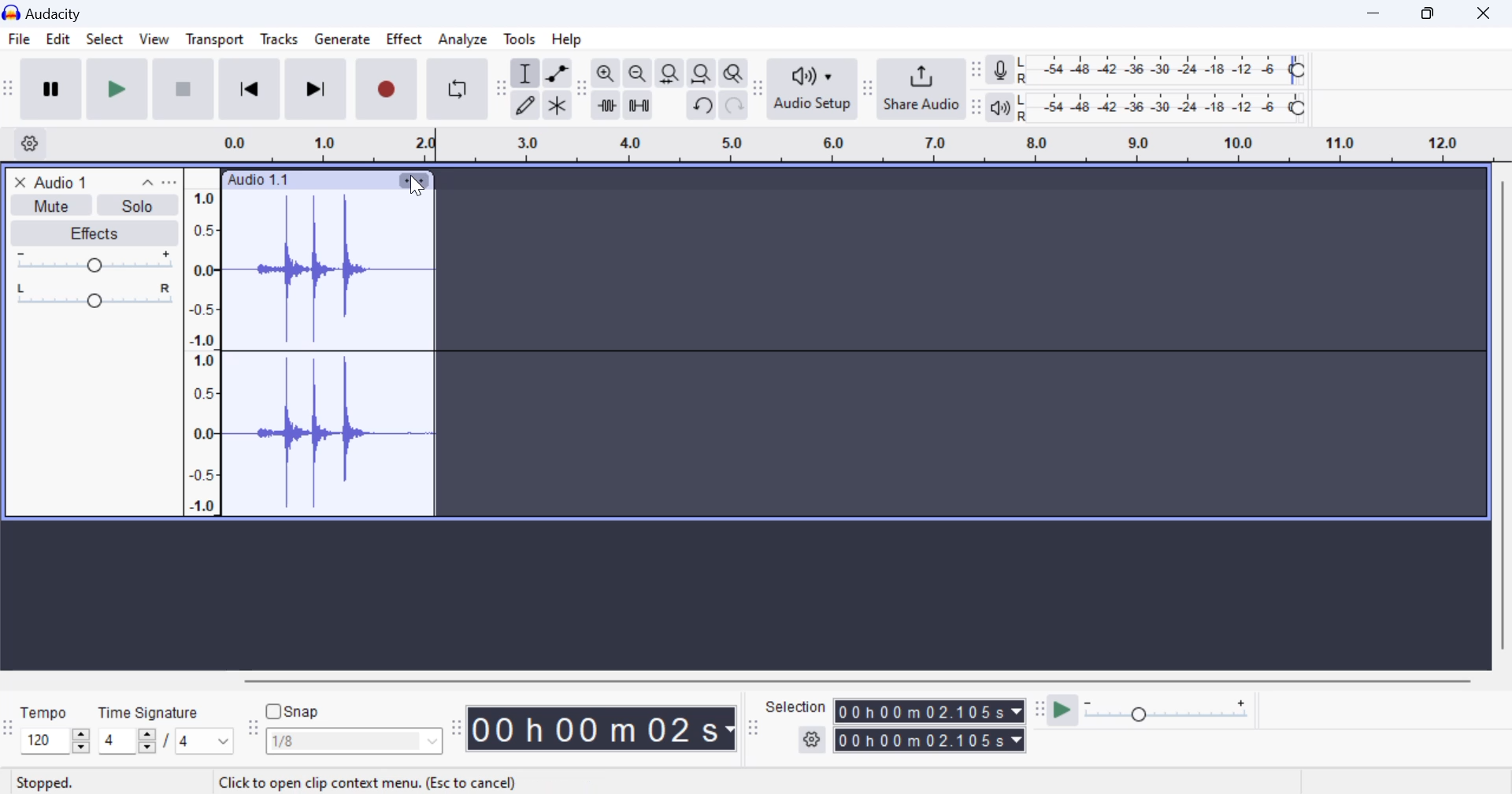 This screenshot has height=794, width=1512. I want to click on Change position of respective level, so click(977, 88).